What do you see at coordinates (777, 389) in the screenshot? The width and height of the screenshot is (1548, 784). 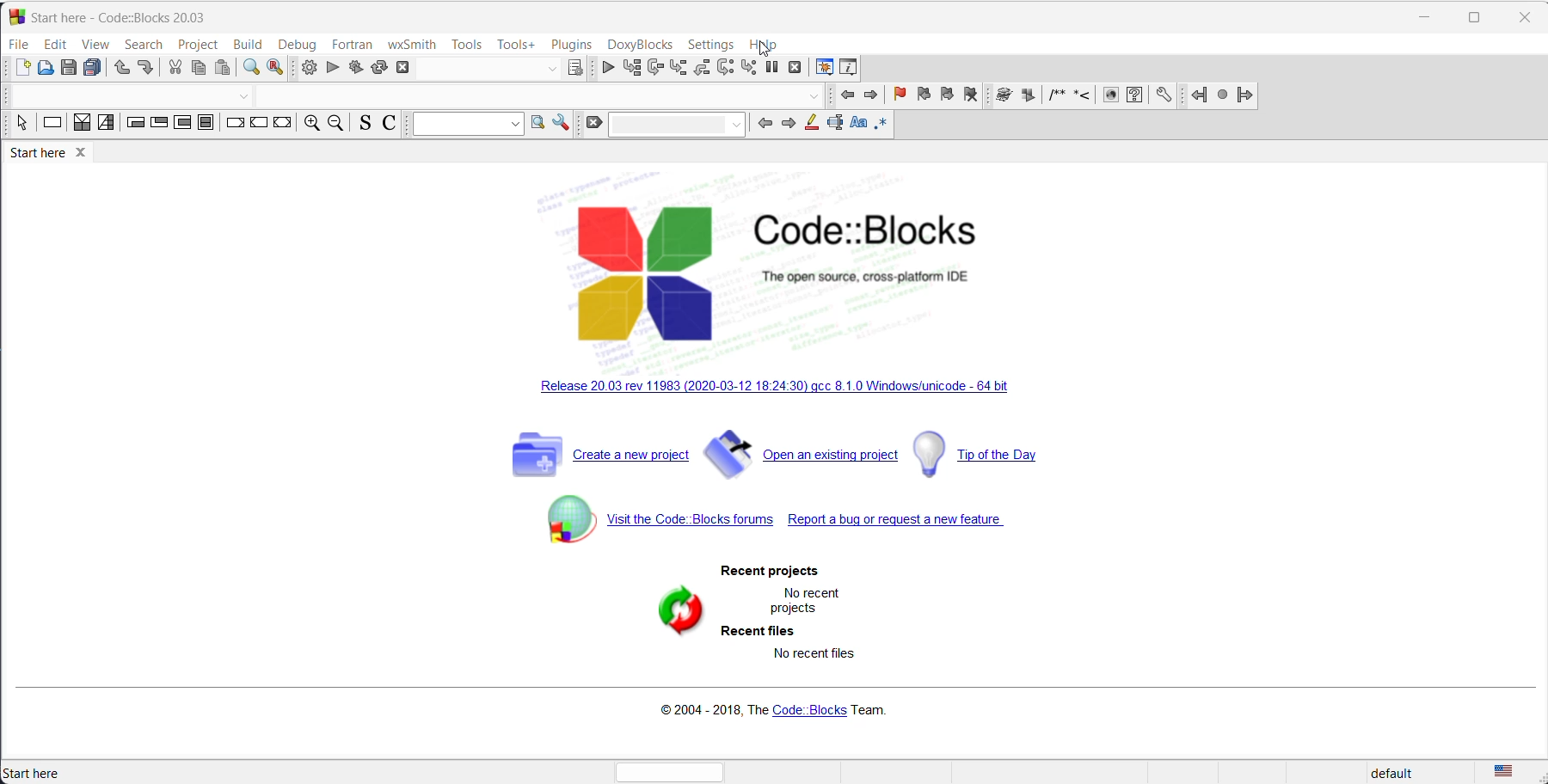 I see `new release` at bounding box center [777, 389].